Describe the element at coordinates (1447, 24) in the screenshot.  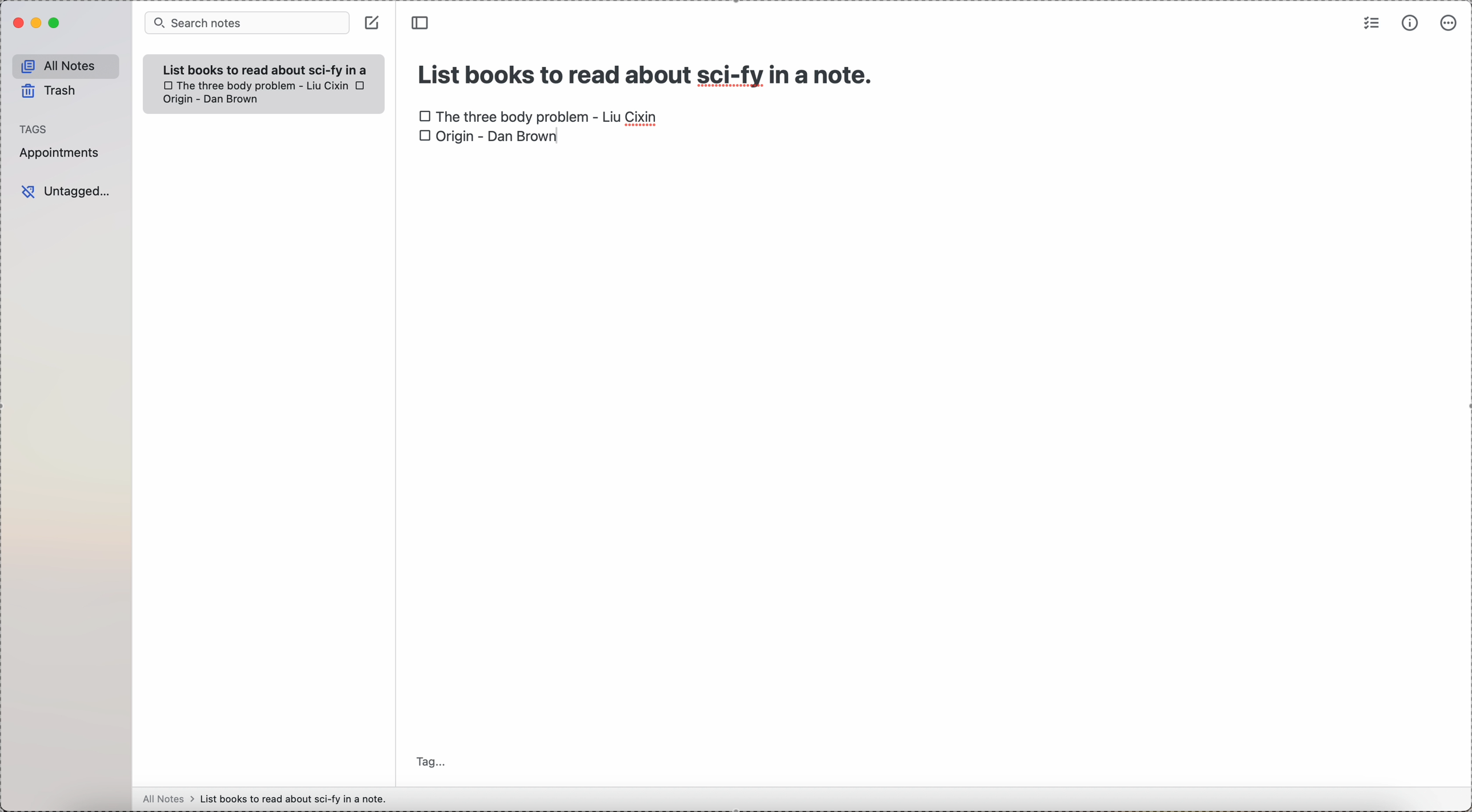
I see `more options` at that location.